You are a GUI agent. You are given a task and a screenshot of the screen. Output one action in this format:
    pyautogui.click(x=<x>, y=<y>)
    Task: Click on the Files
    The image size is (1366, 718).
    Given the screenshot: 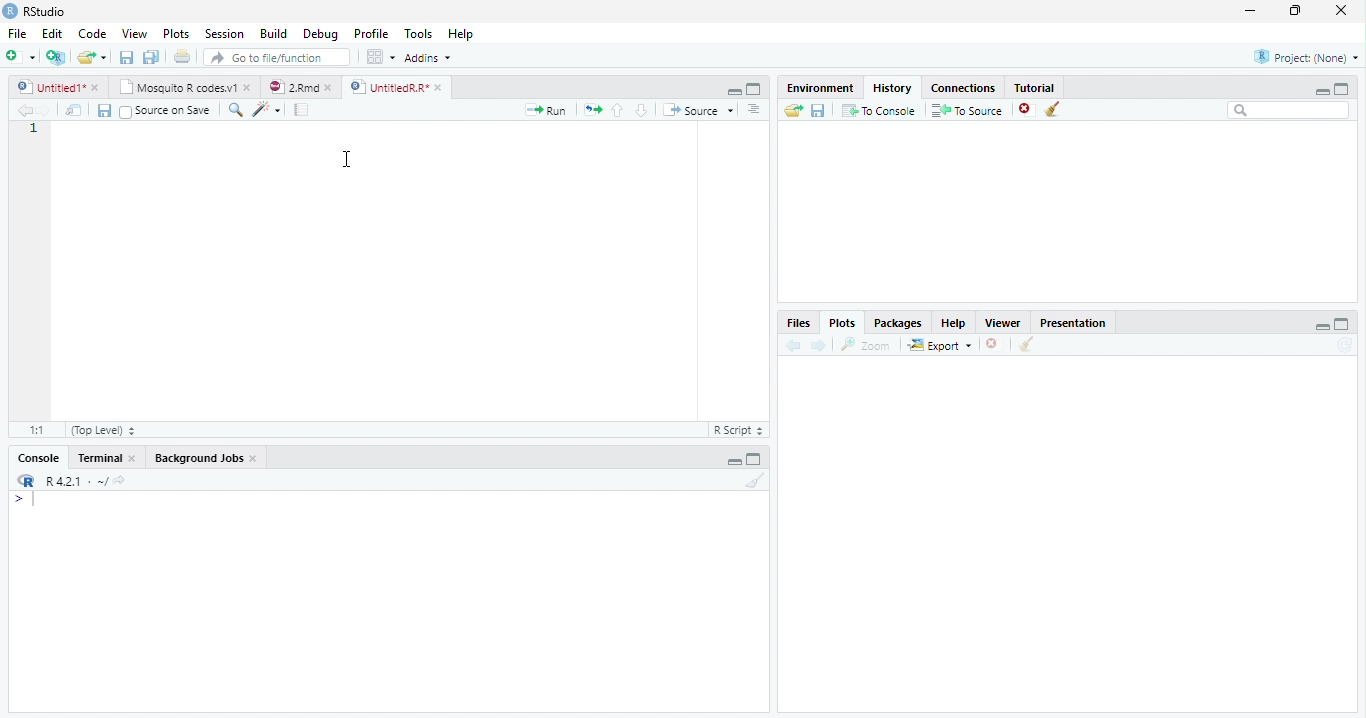 What is the action you would take?
    pyautogui.click(x=801, y=323)
    